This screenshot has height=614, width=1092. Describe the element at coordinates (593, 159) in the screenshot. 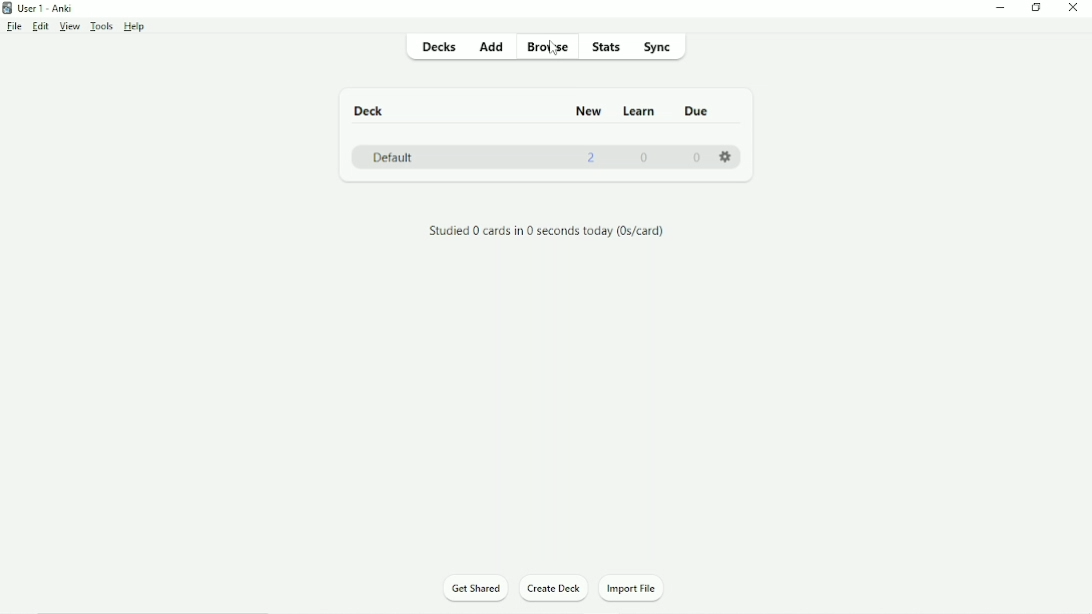

I see `2` at that location.